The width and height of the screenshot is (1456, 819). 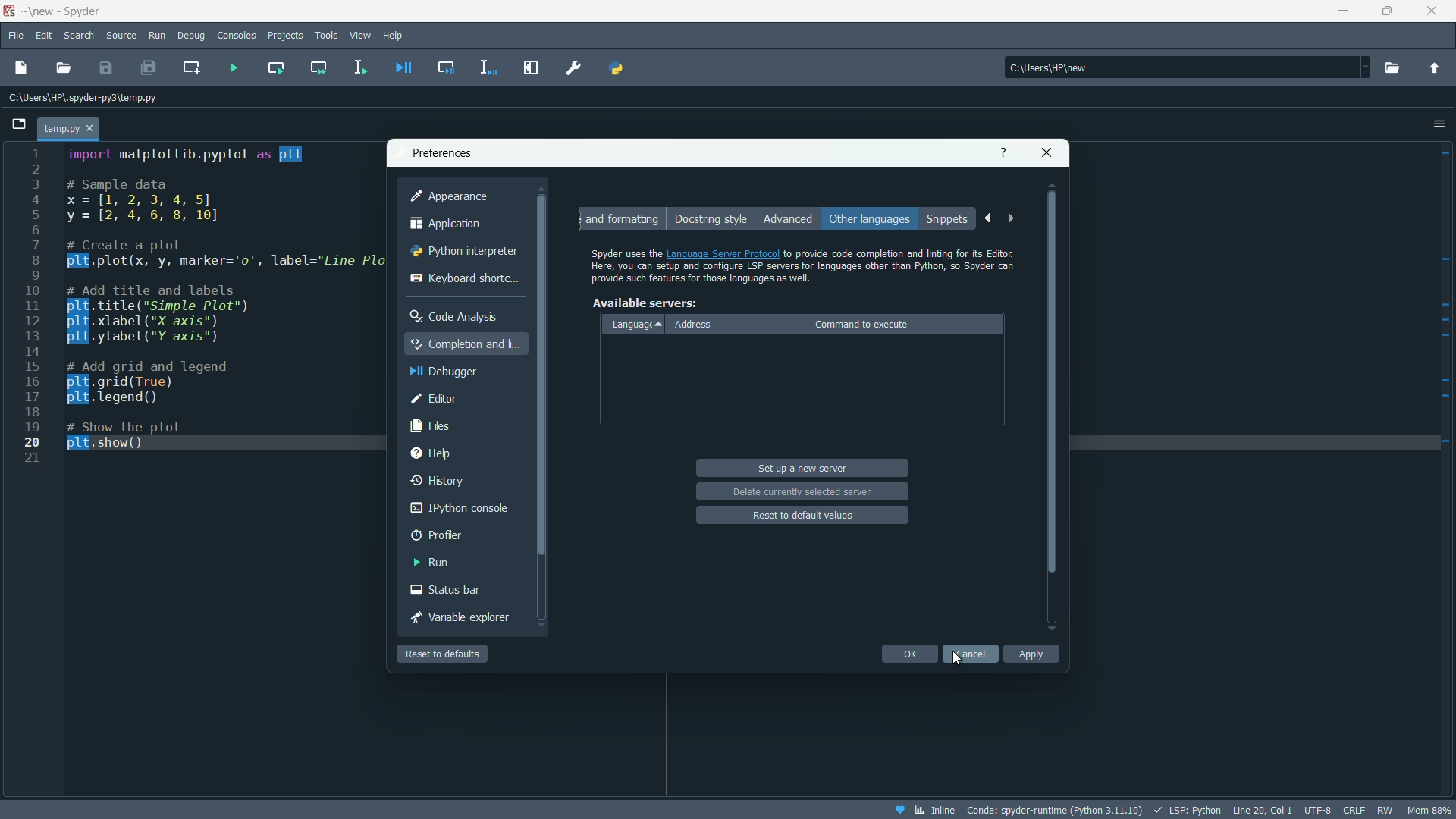 I want to click on completion and linting, so click(x=468, y=343).